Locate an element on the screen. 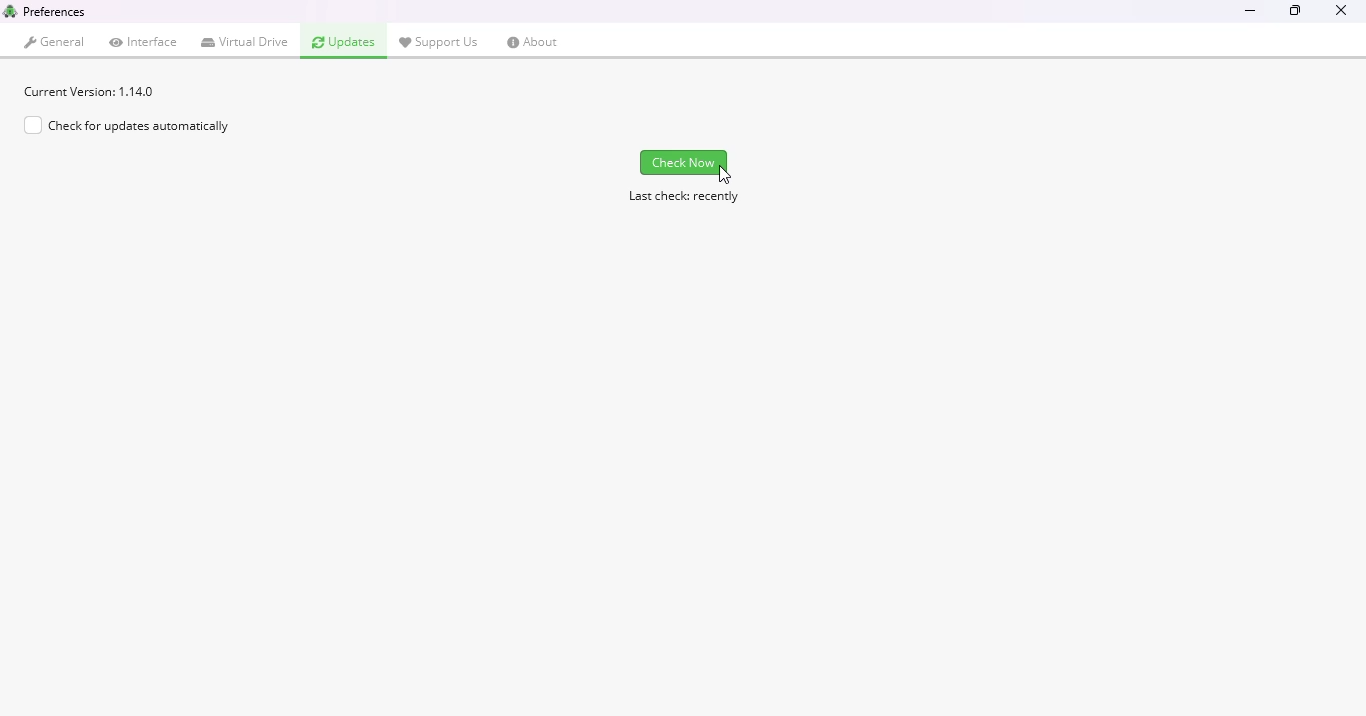  minimize is located at coordinates (1251, 12).